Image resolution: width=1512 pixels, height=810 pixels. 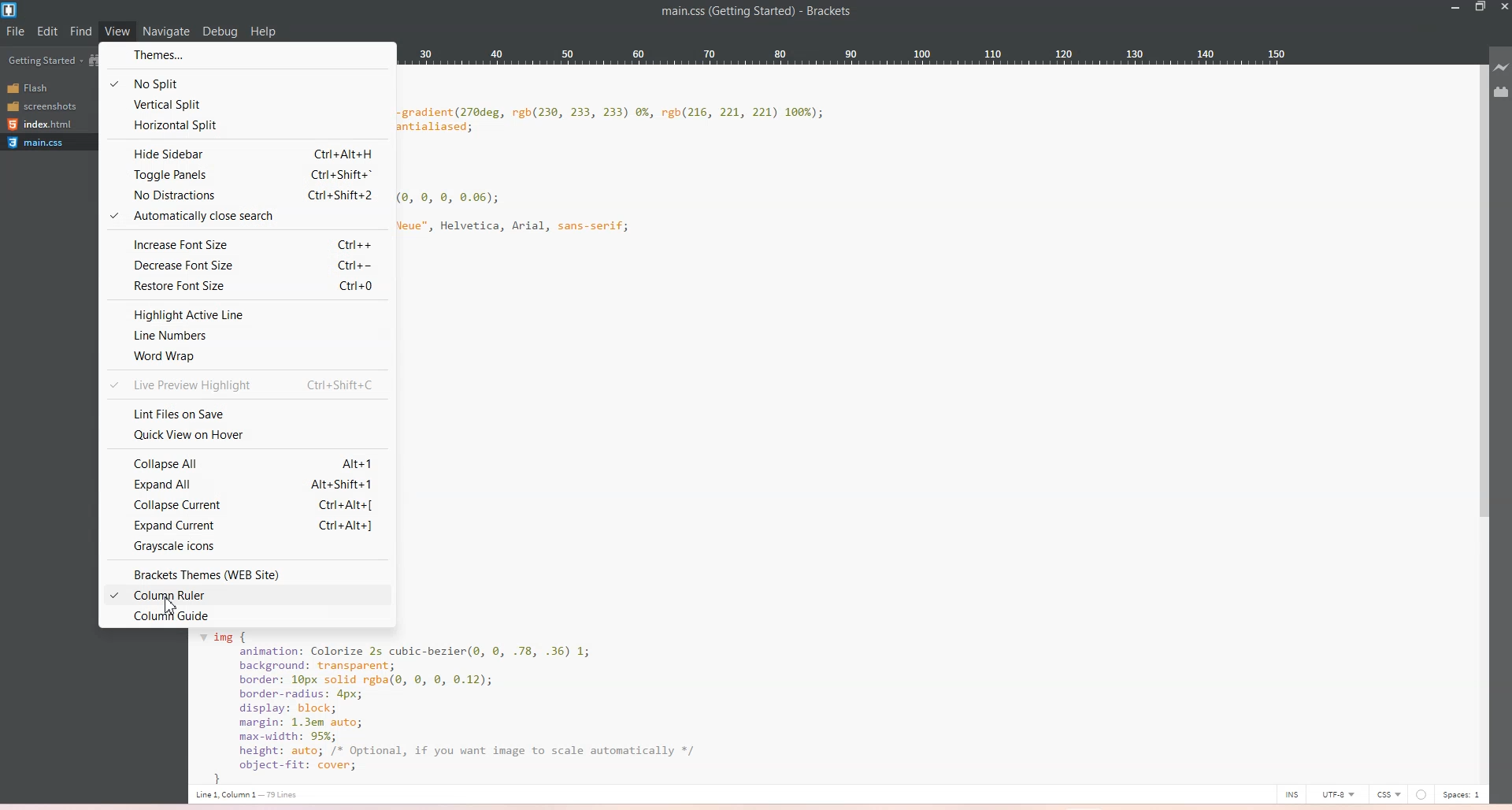 I want to click on main.css(Getting Started - Brackets), so click(x=761, y=13).